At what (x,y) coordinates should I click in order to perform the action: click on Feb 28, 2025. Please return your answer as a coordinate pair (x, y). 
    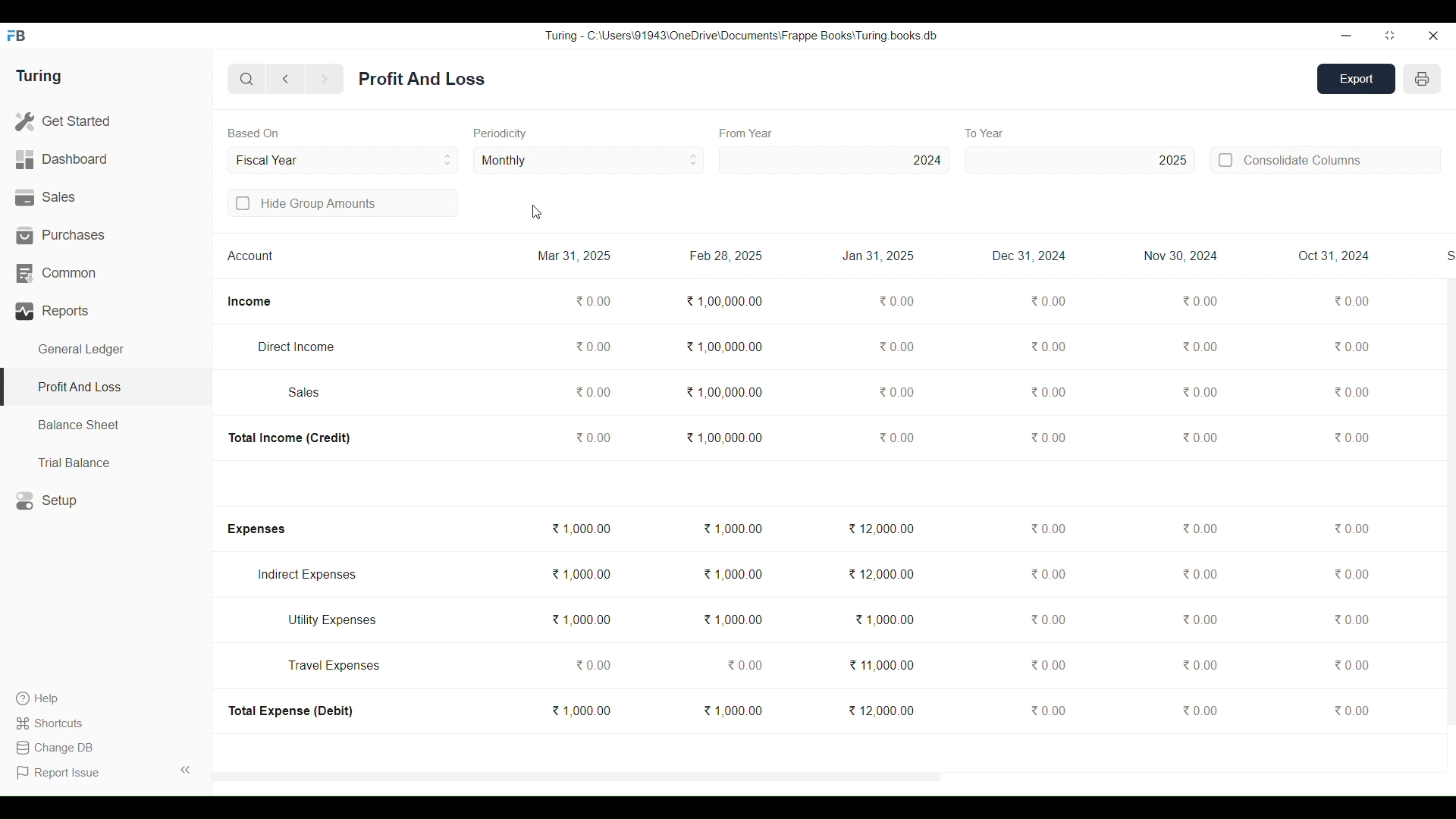
    Looking at the image, I should click on (725, 256).